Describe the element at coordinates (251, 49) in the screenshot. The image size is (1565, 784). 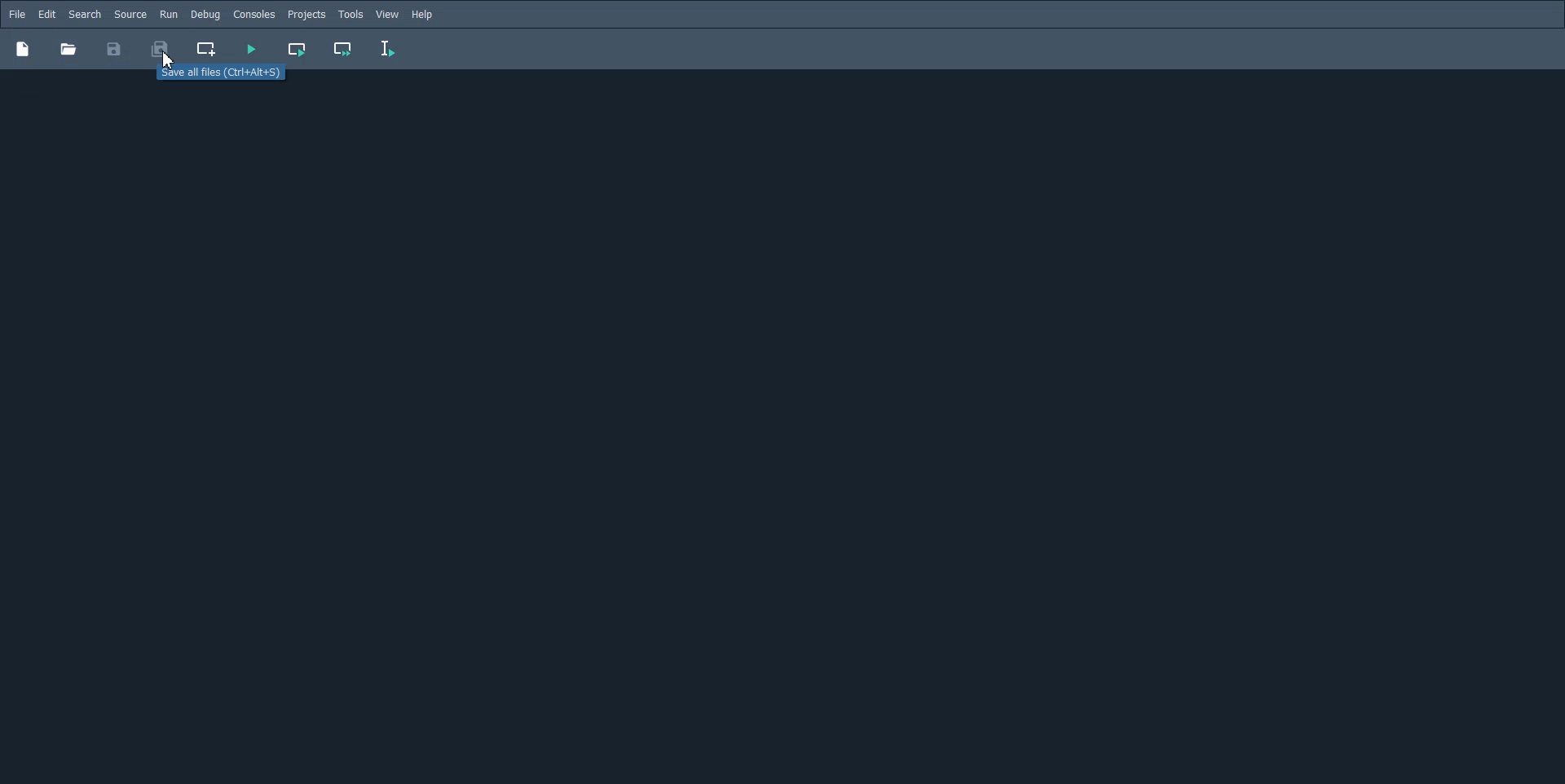
I see `Run File` at that location.